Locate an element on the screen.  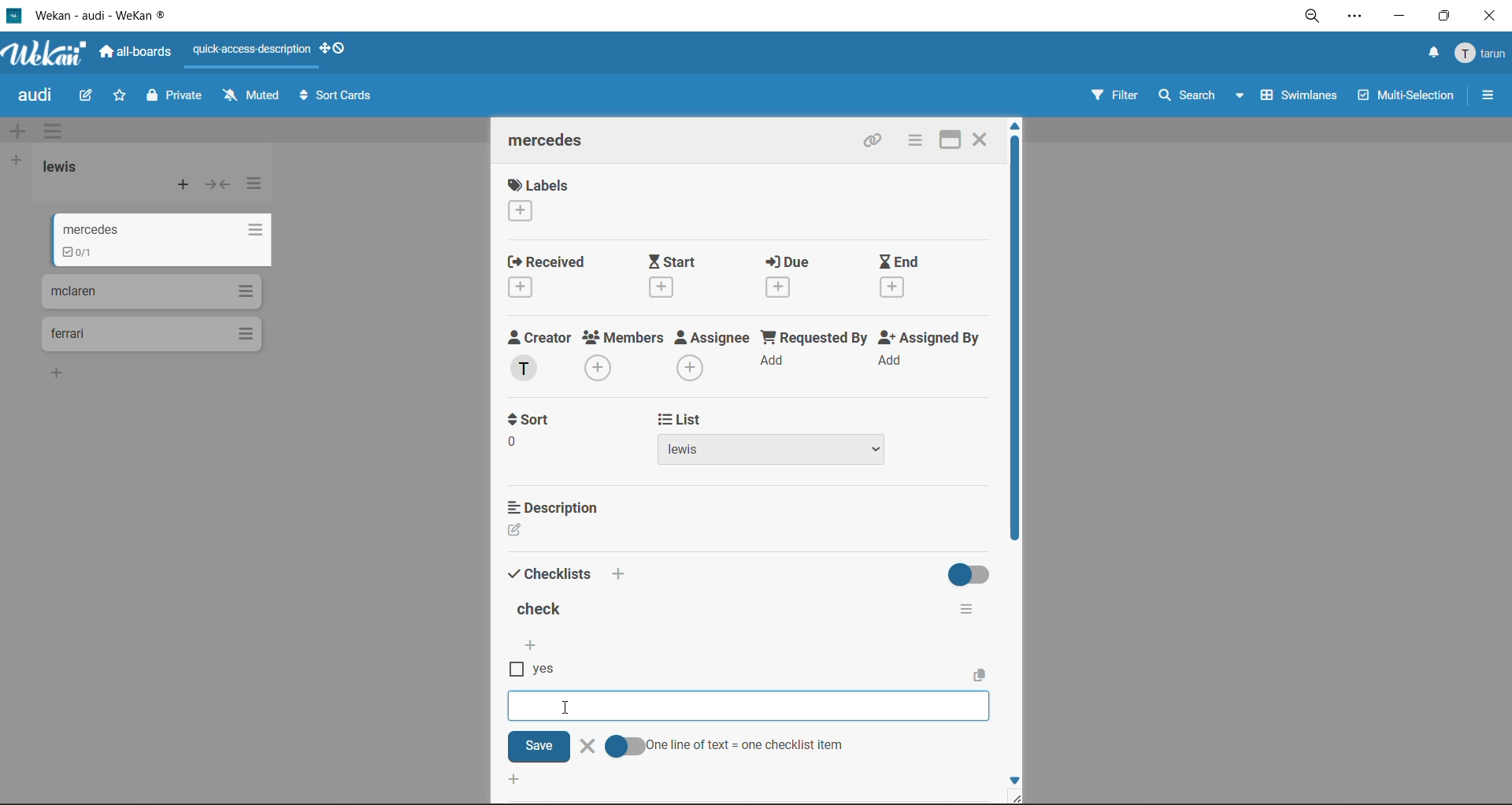
one line of text = one checklist item is located at coordinates (725, 746).